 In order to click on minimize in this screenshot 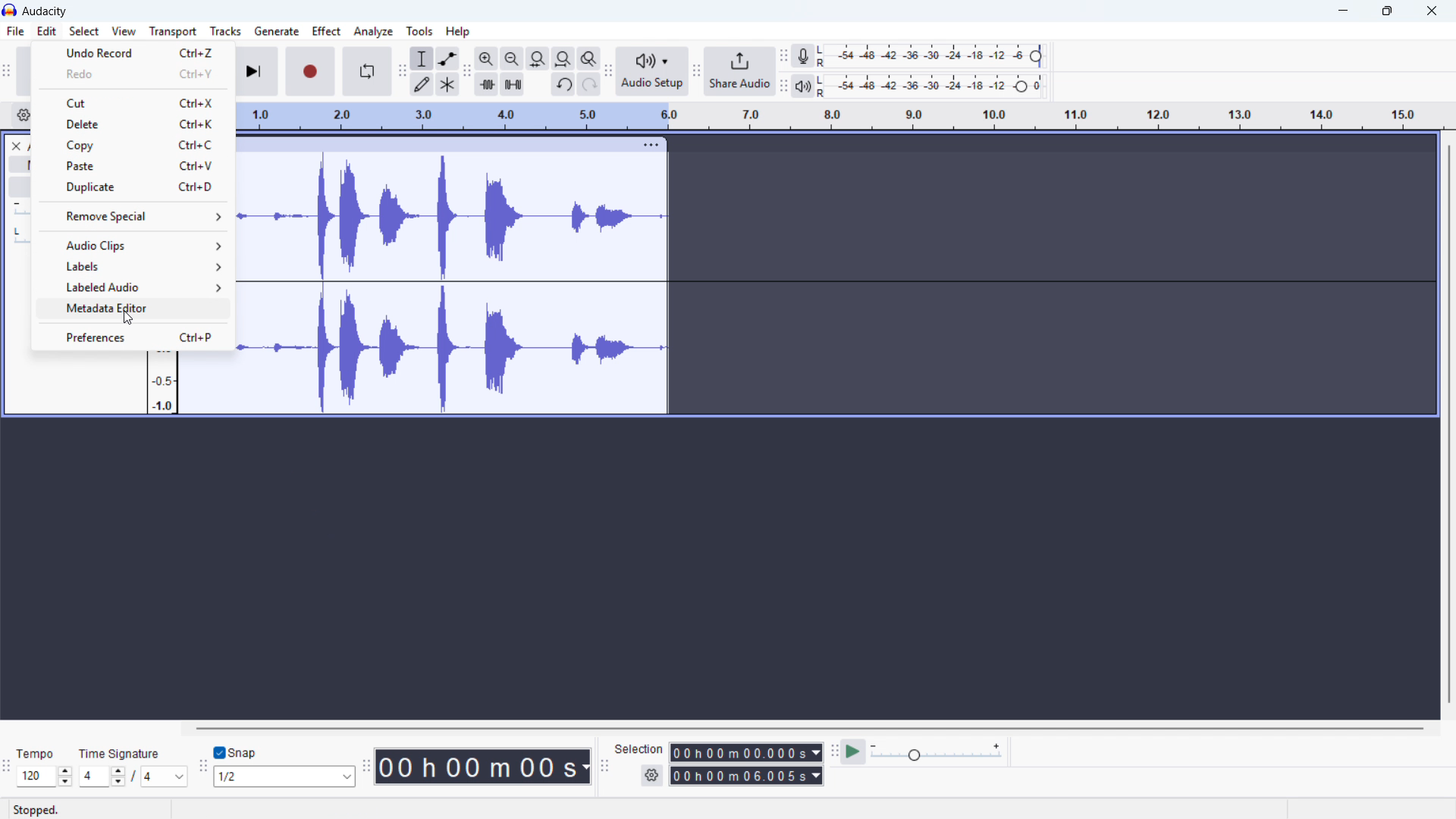, I will do `click(1344, 11)`.